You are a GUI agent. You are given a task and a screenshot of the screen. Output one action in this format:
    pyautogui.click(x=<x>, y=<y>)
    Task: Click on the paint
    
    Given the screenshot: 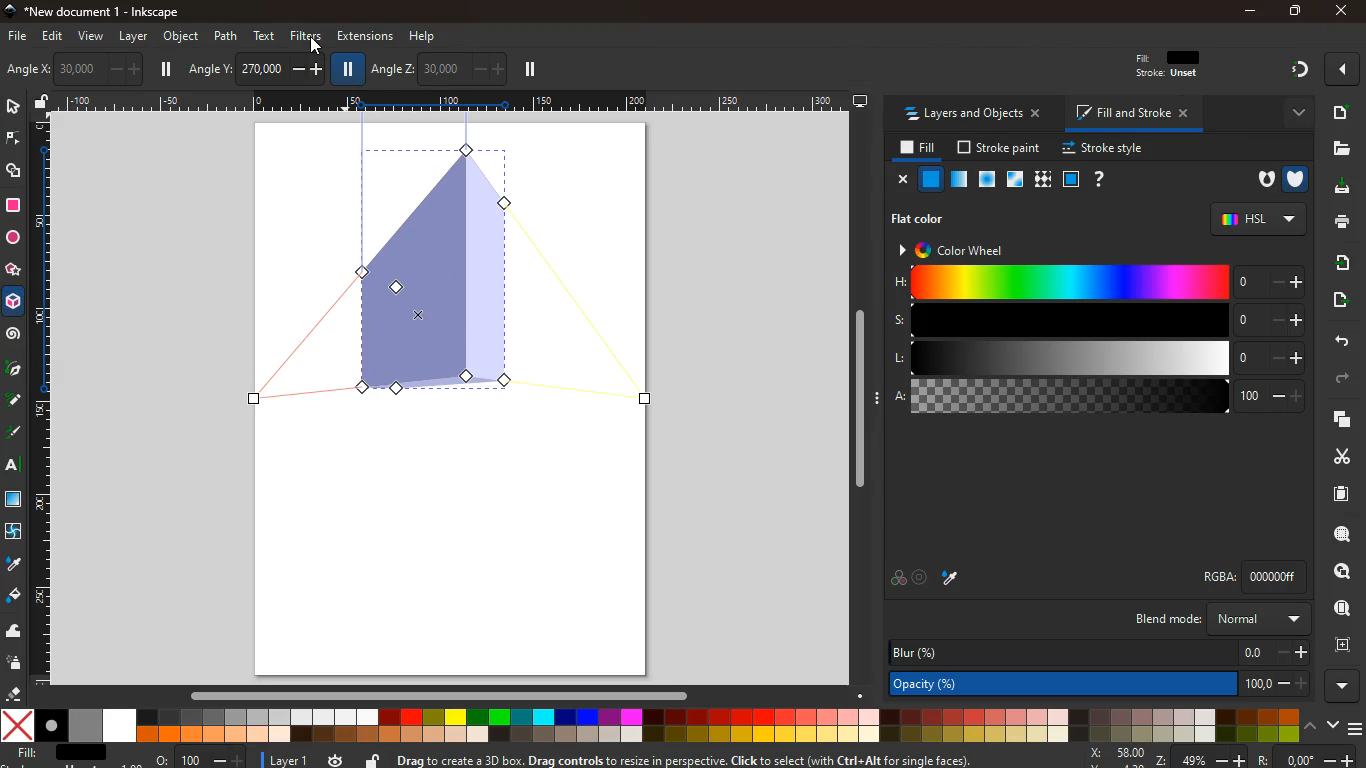 What is the action you would take?
    pyautogui.click(x=13, y=597)
    